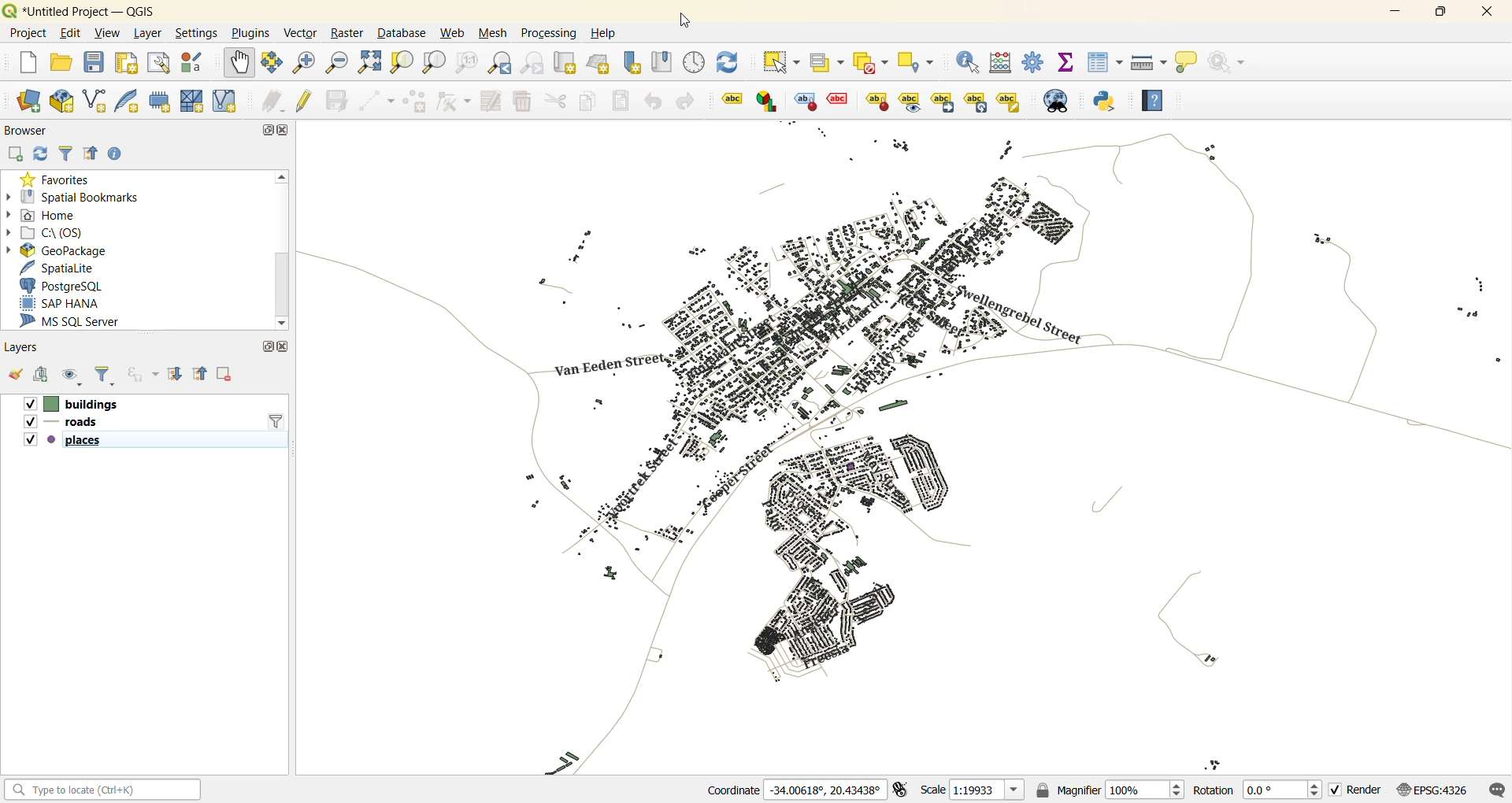 This screenshot has width=1512, height=803. What do you see at coordinates (109, 34) in the screenshot?
I see `view` at bounding box center [109, 34].